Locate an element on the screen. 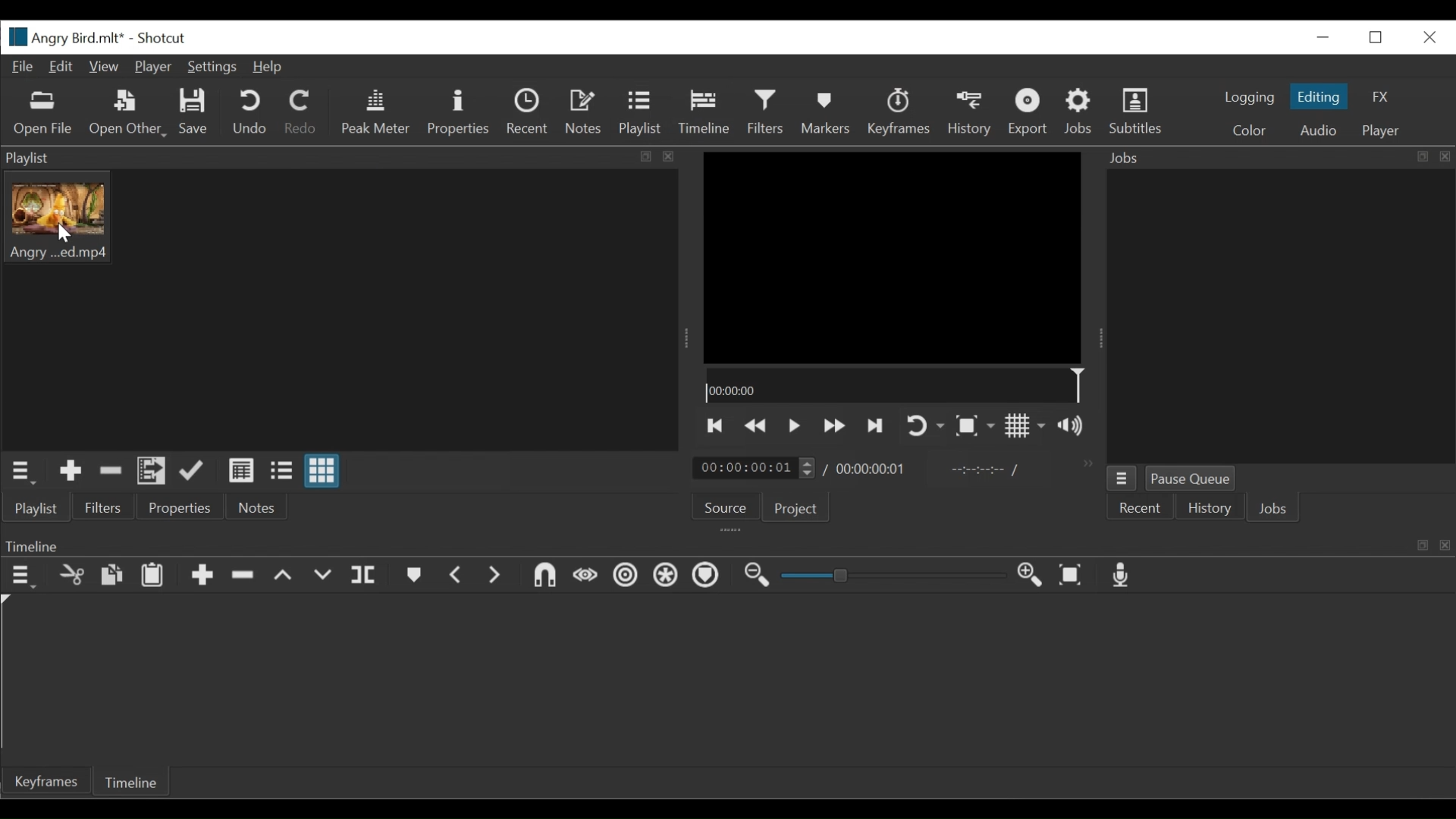  Zoom timeline in is located at coordinates (1032, 577).